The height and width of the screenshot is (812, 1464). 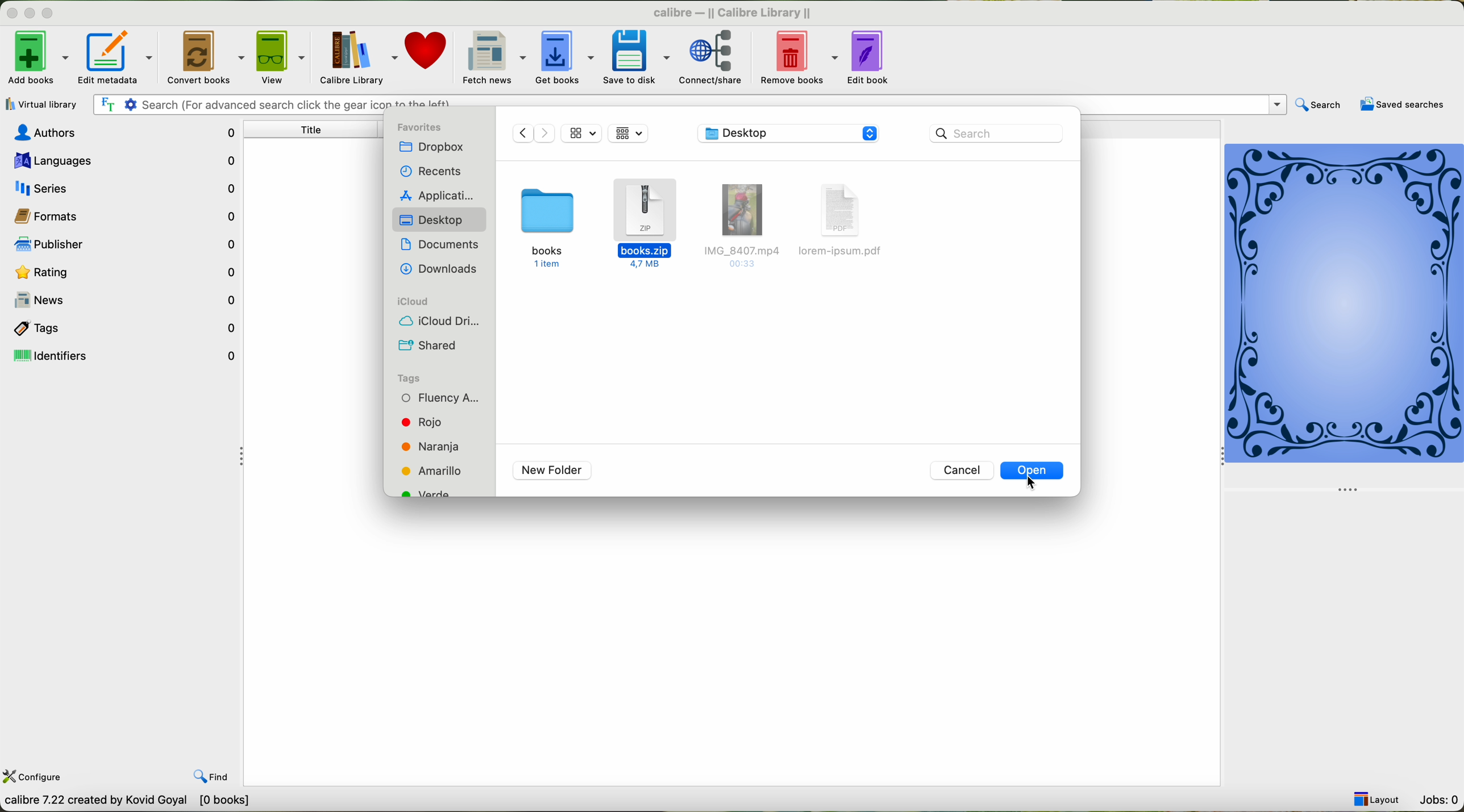 I want to click on saved searches, so click(x=1403, y=106).